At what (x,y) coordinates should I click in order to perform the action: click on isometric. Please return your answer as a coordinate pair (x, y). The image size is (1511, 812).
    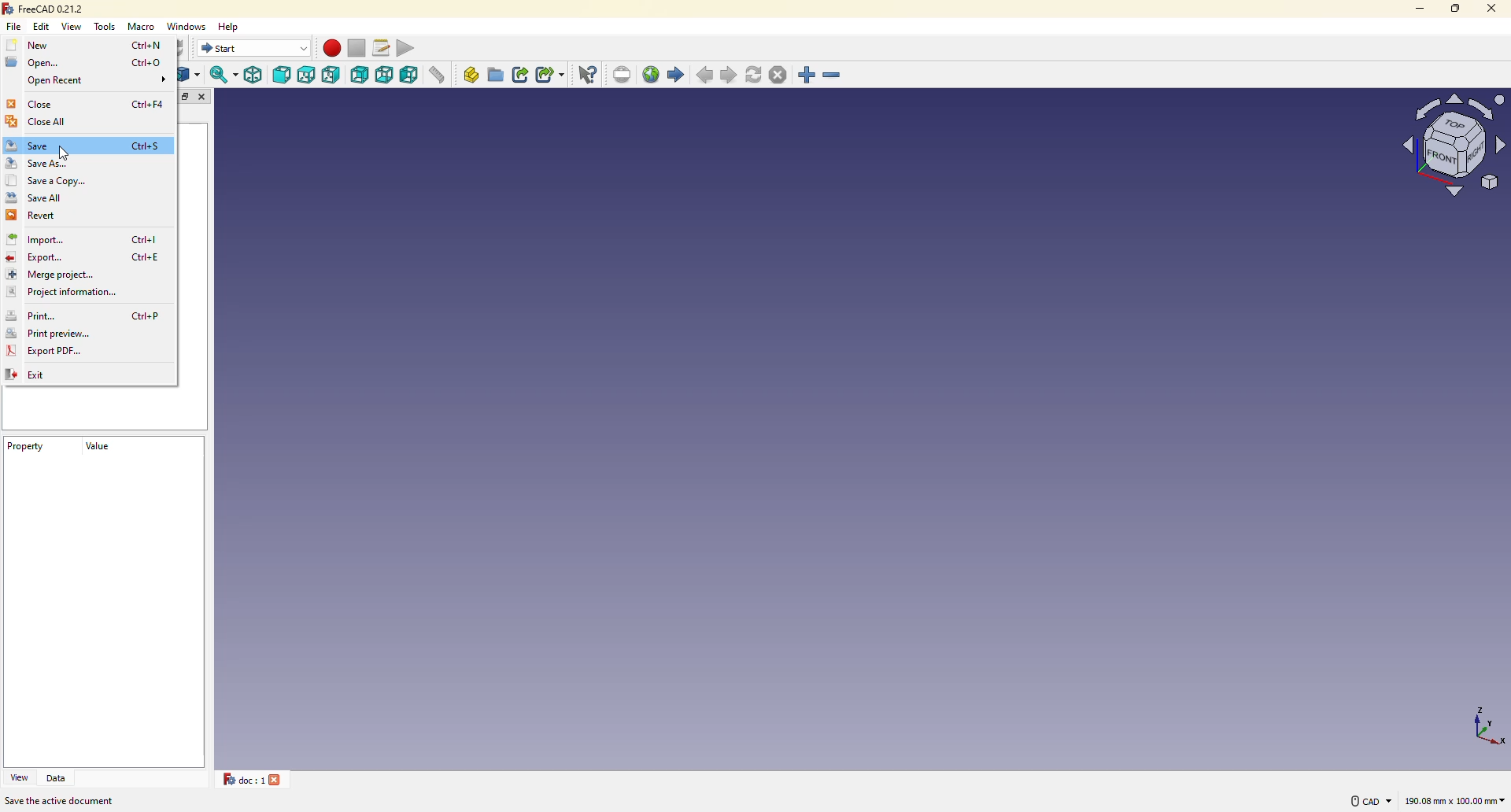
    Looking at the image, I should click on (254, 75).